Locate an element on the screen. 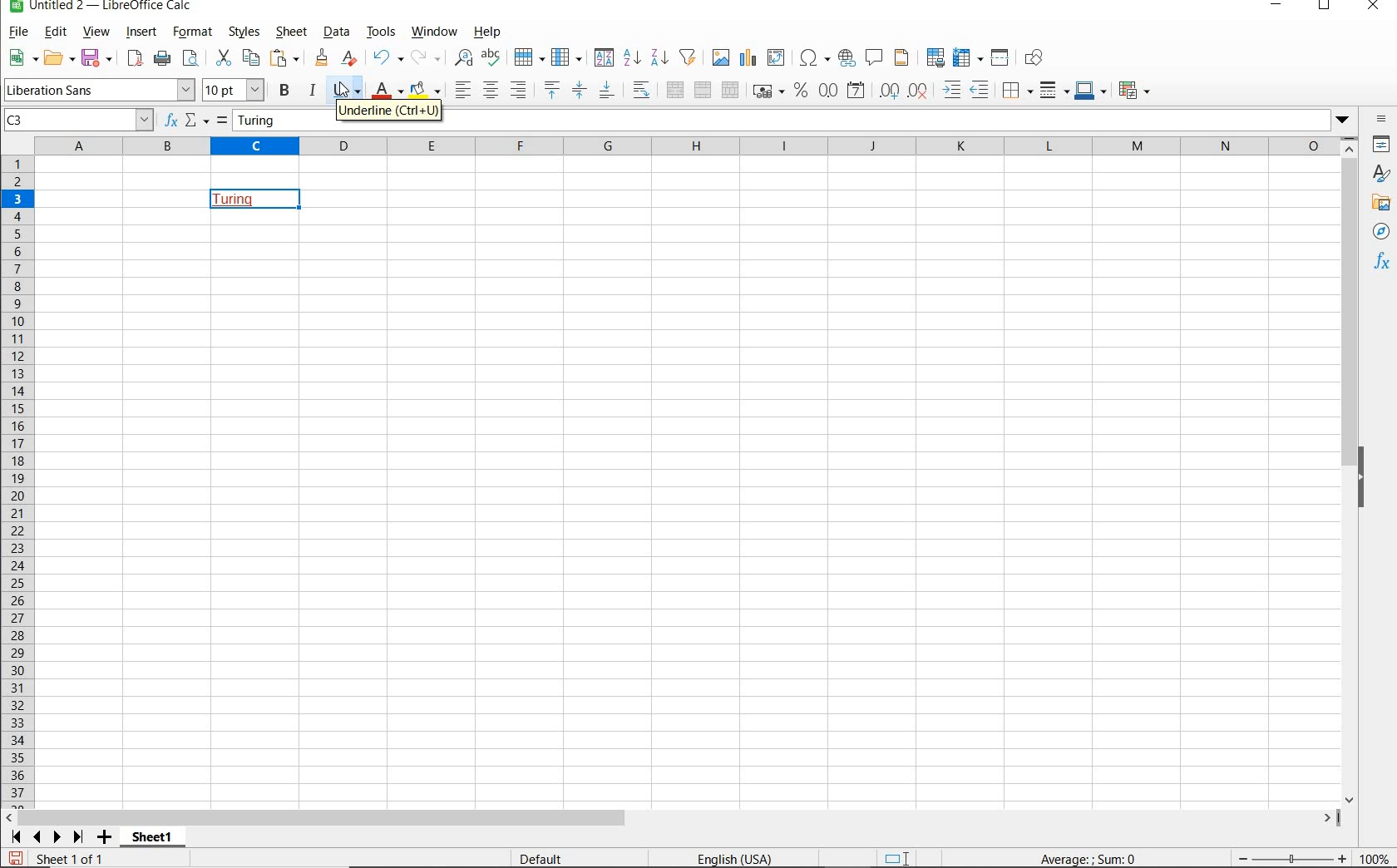 The image size is (1397, 868). Turing is located at coordinates (264, 121).